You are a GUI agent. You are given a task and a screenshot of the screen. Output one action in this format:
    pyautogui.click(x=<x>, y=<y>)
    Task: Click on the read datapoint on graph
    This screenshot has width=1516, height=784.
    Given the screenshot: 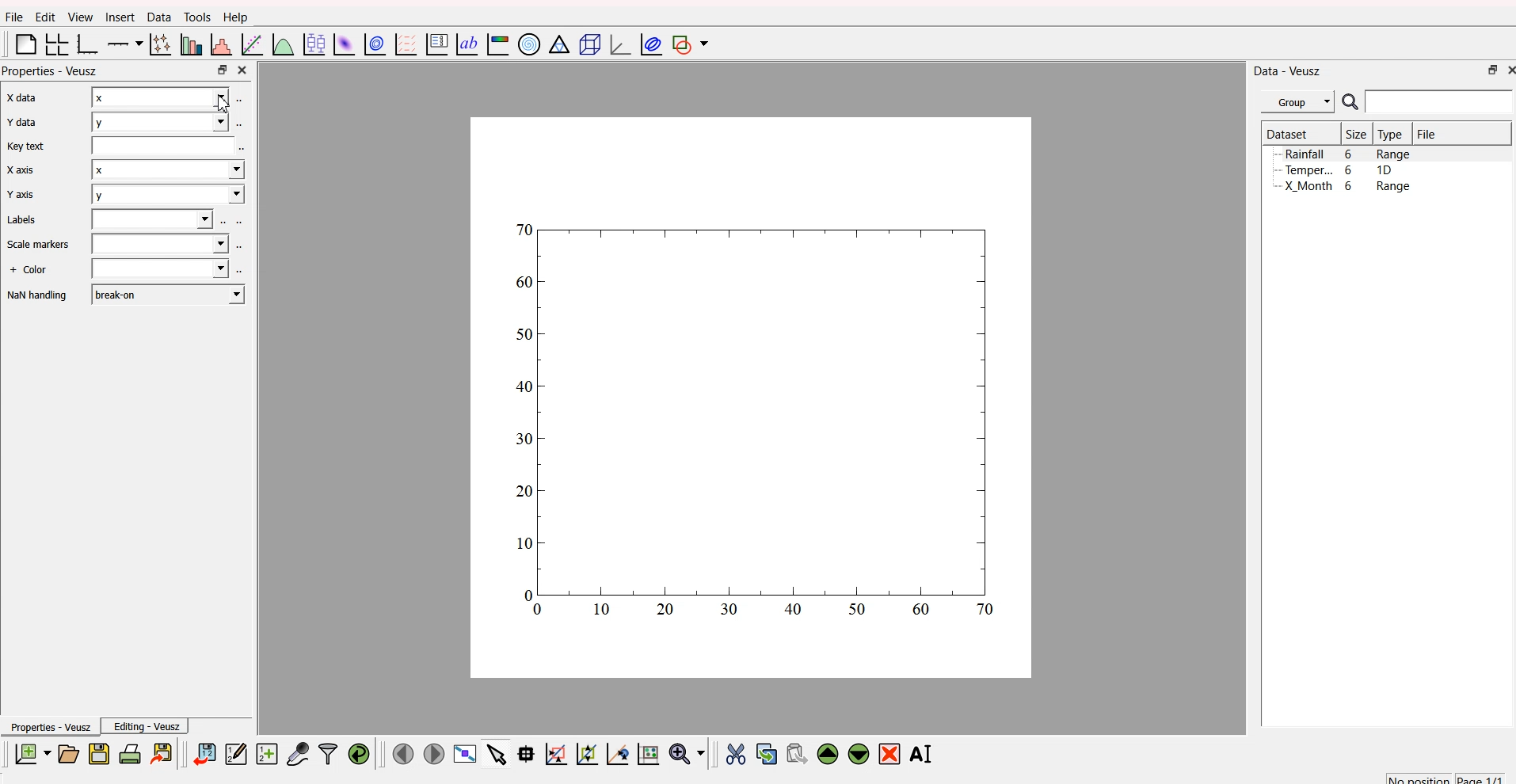 What is the action you would take?
    pyautogui.click(x=524, y=753)
    